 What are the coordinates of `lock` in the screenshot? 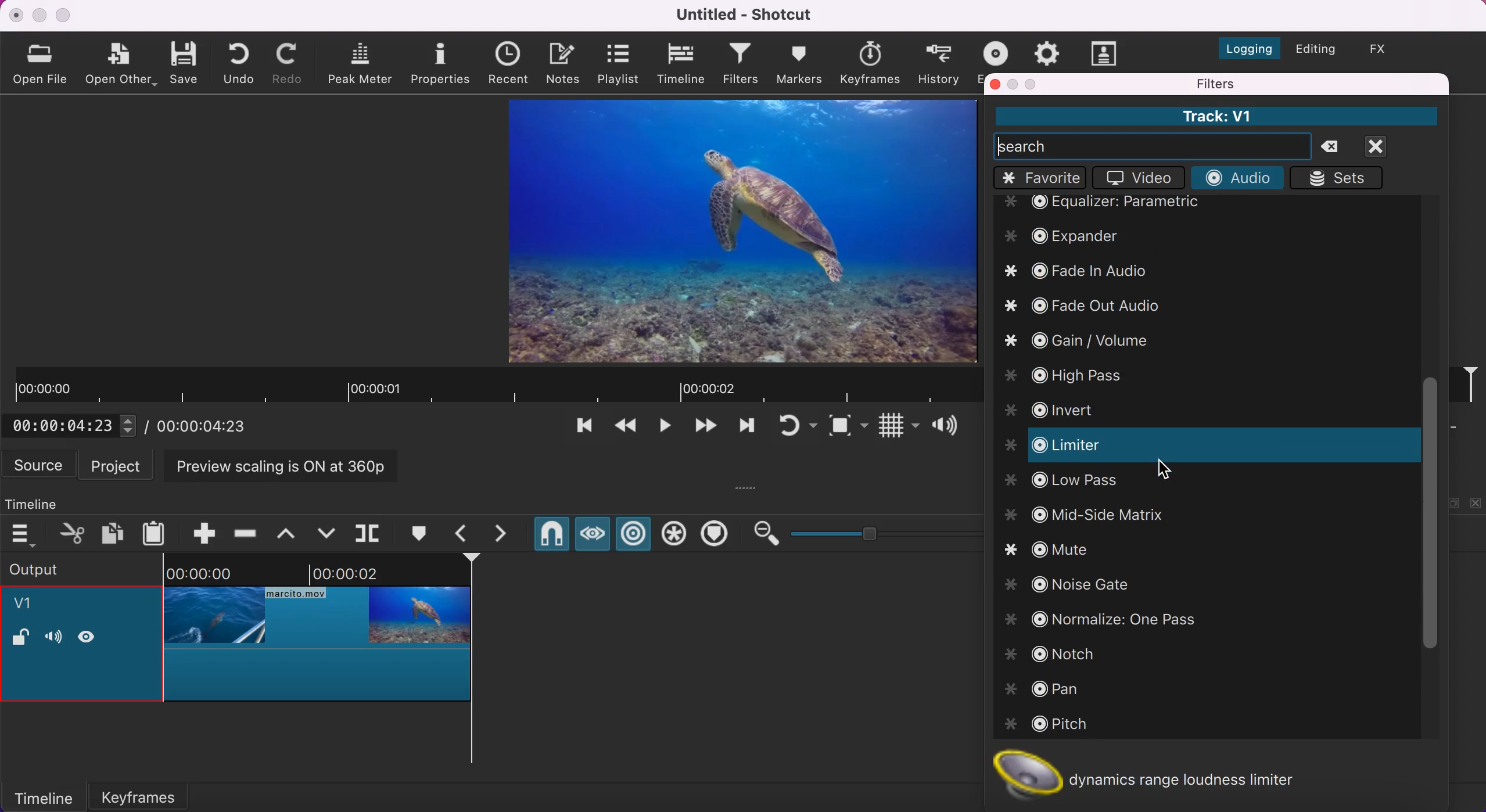 It's located at (20, 639).